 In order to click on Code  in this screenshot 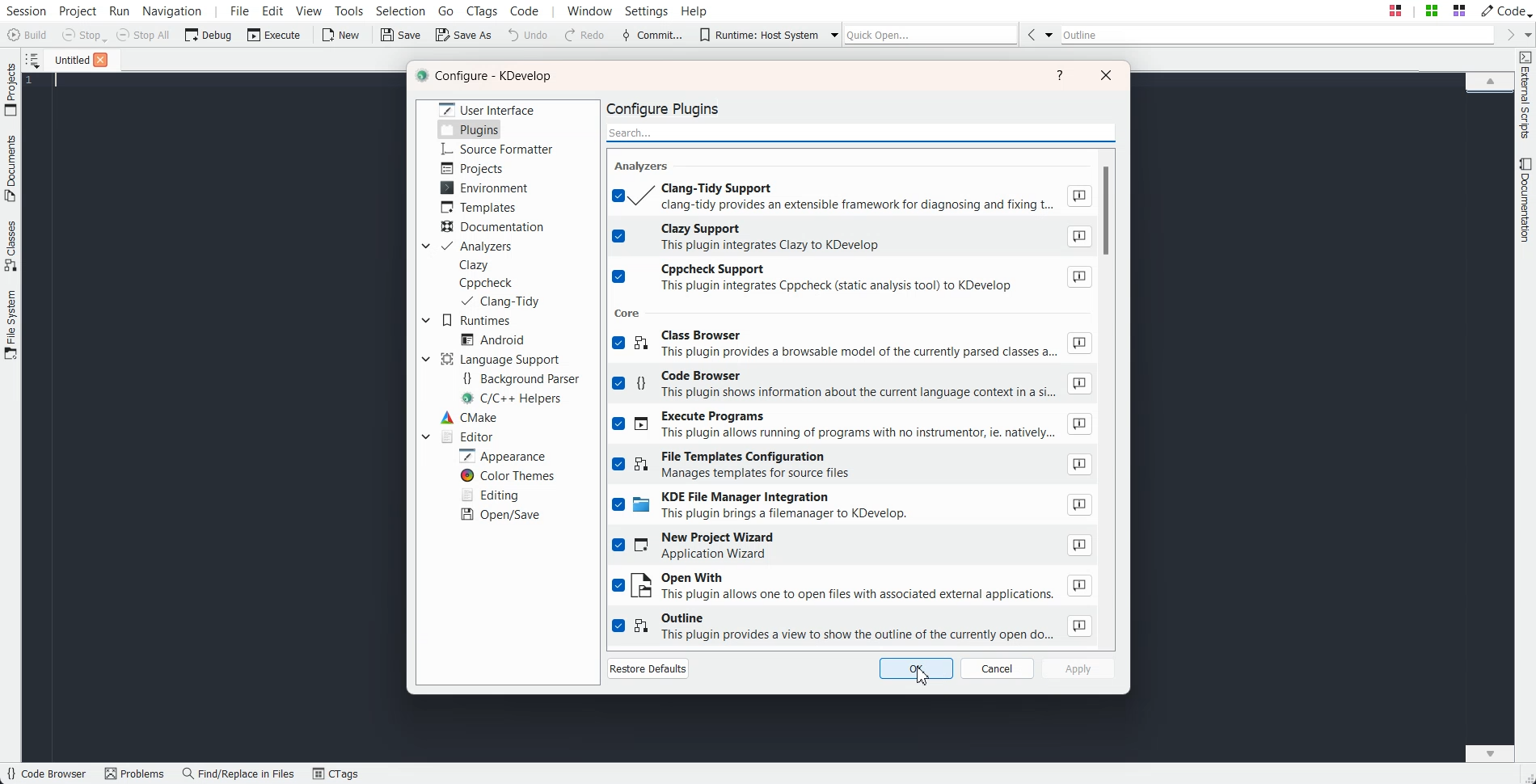, I will do `click(1504, 10)`.